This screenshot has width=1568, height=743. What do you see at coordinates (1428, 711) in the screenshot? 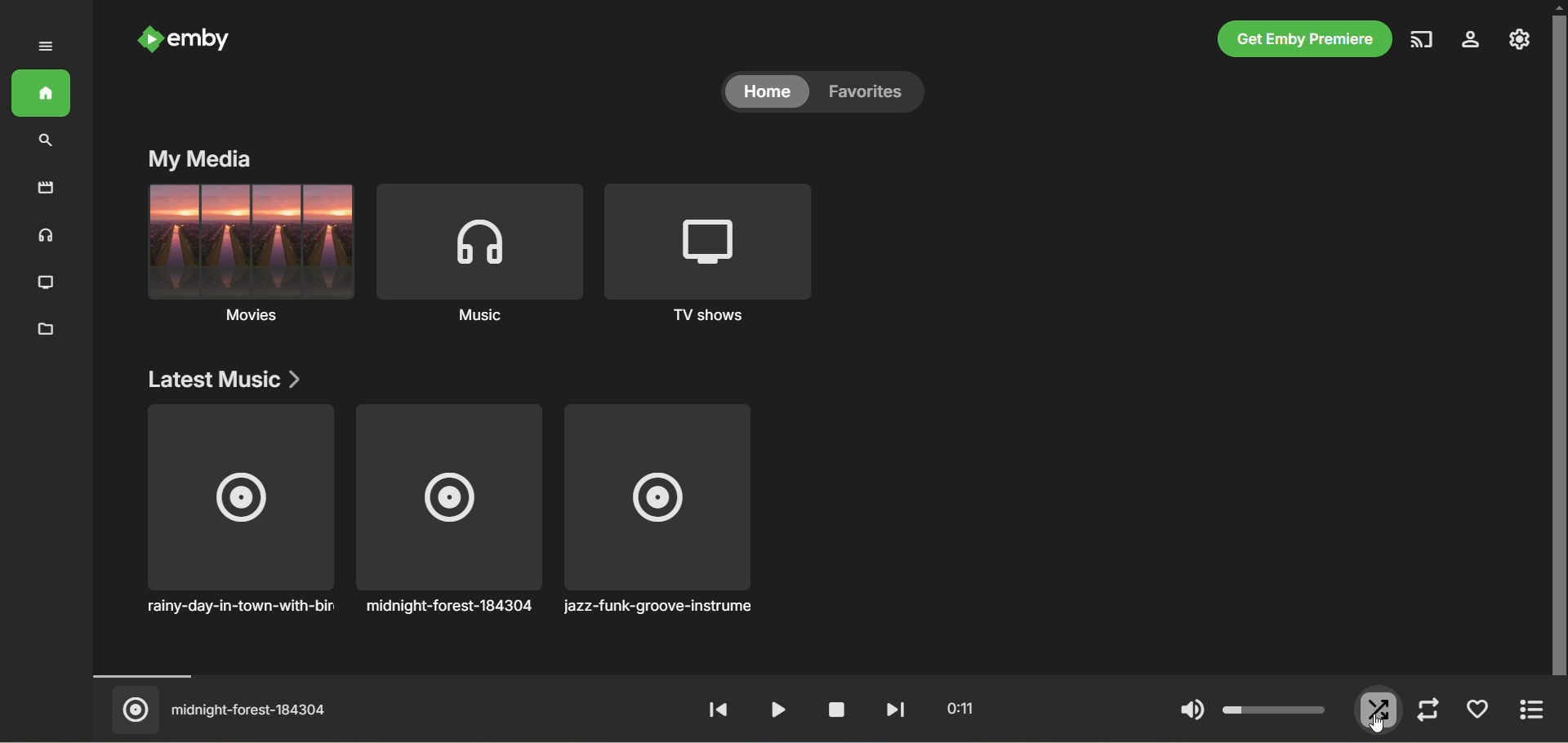
I see `repeat mode` at bounding box center [1428, 711].